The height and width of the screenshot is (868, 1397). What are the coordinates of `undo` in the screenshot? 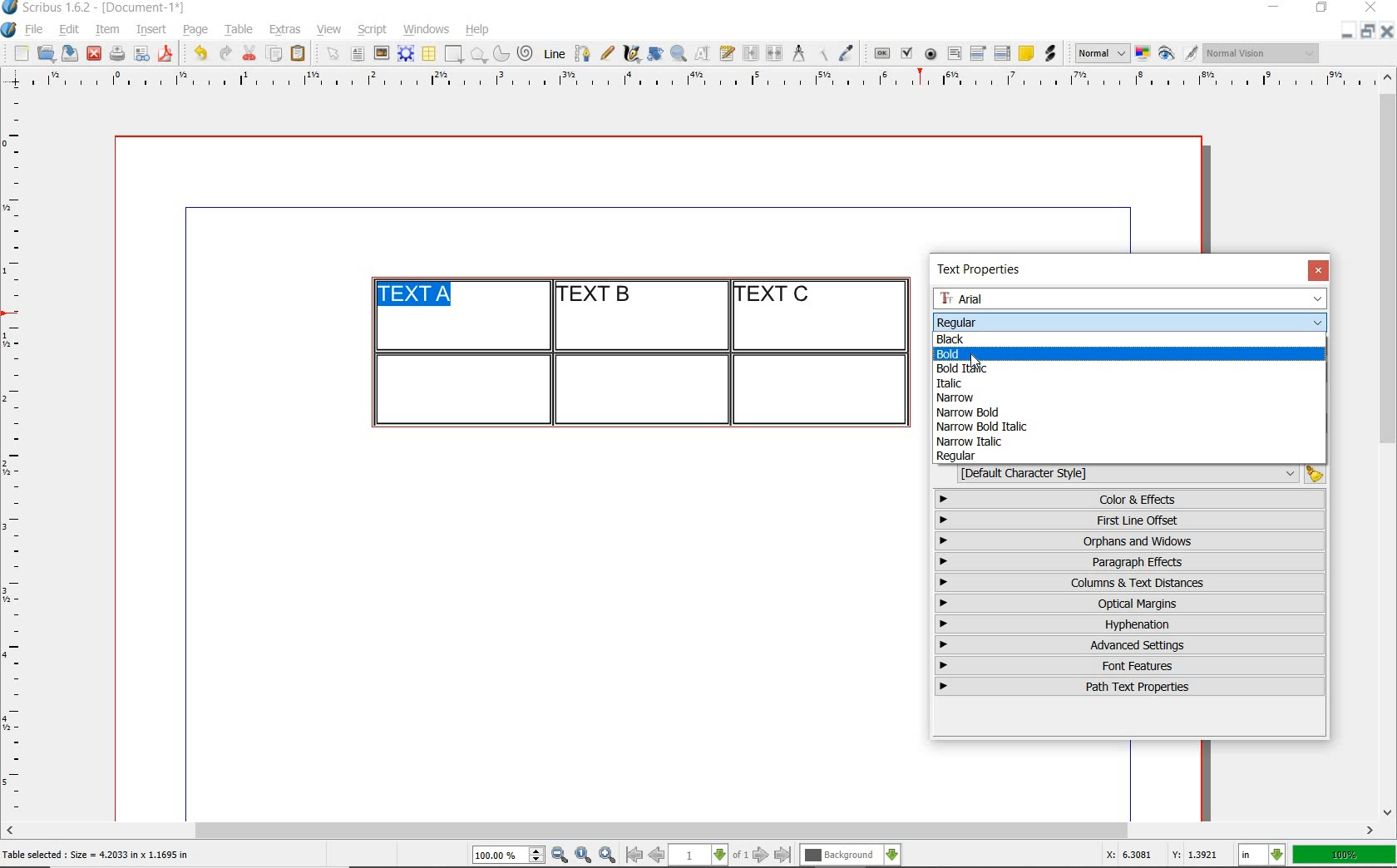 It's located at (200, 53).